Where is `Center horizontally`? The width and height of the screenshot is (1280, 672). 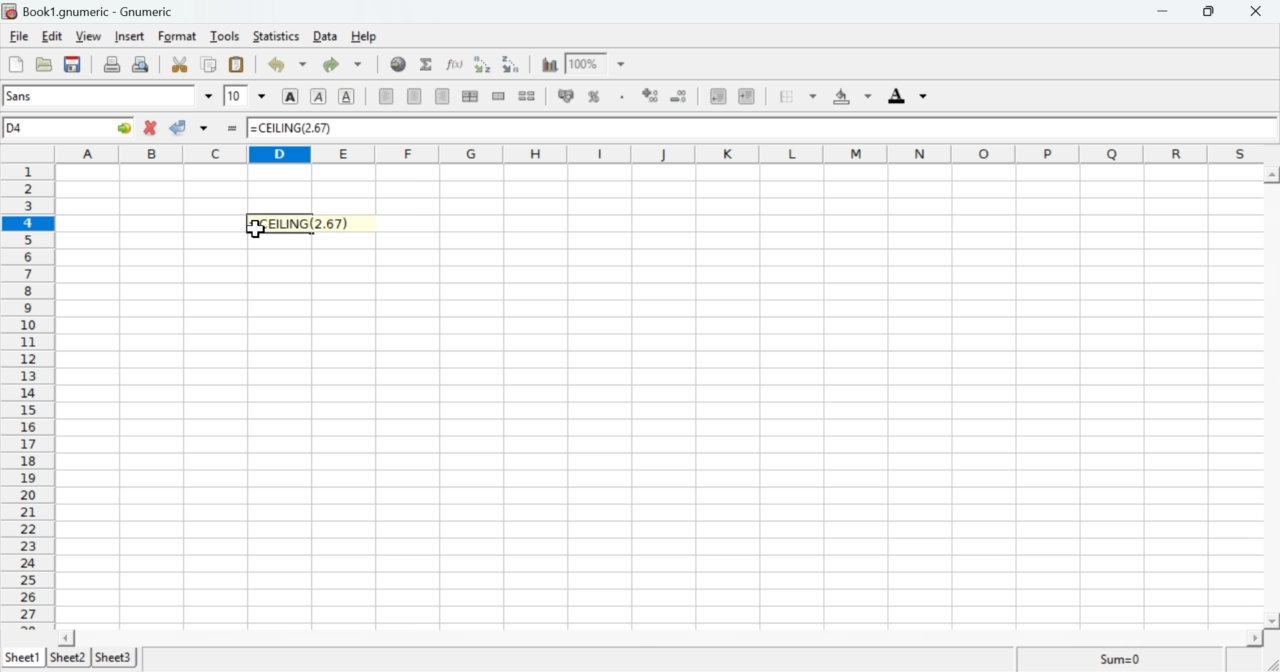
Center horizontally is located at coordinates (442, 96).